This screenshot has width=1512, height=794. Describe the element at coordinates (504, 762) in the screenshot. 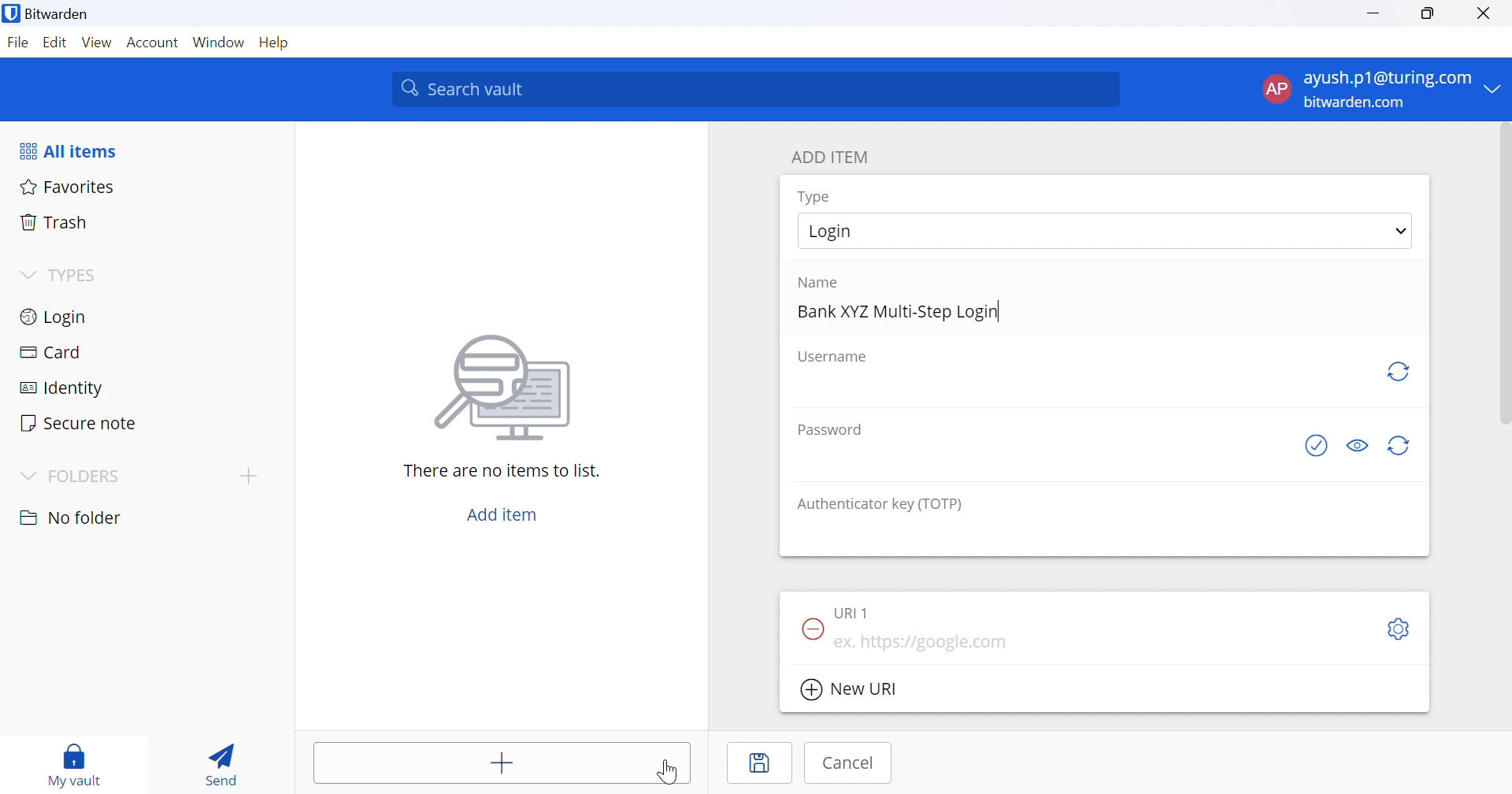

I see `Add item` at that location.